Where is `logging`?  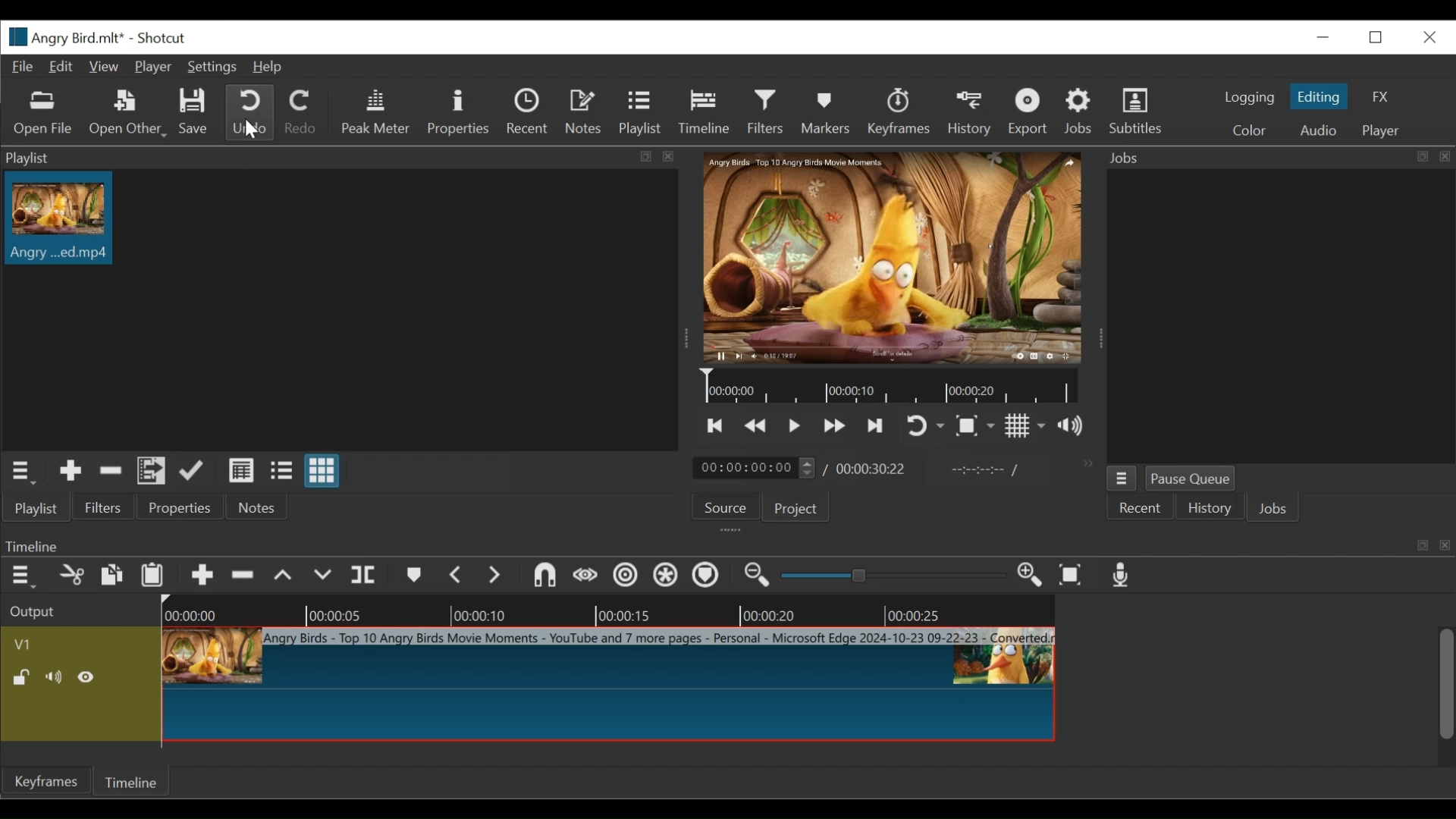
logging is located at coordinates (1250, 97).